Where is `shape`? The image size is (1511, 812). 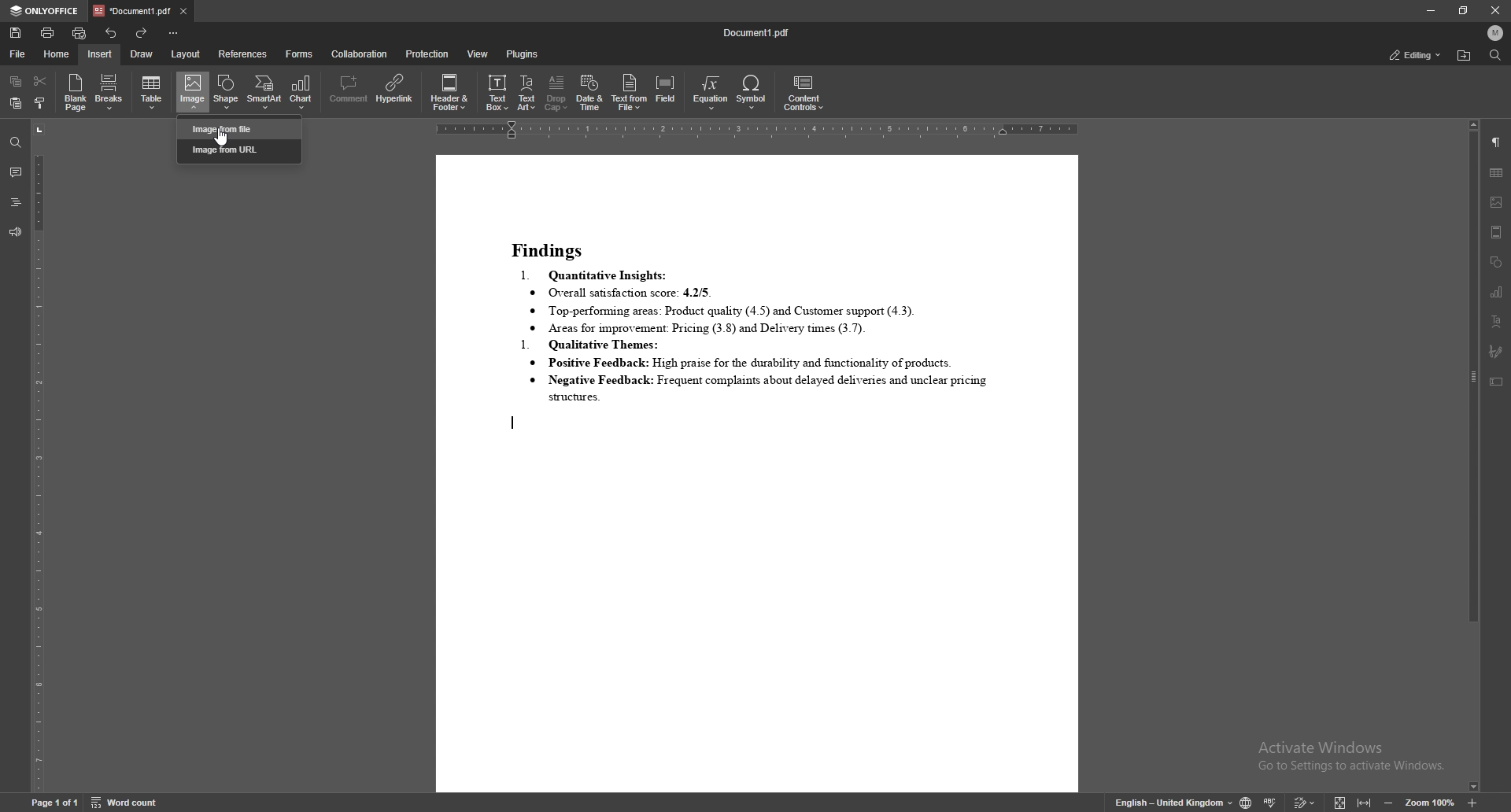
shape is located at coordinates (227, 87).